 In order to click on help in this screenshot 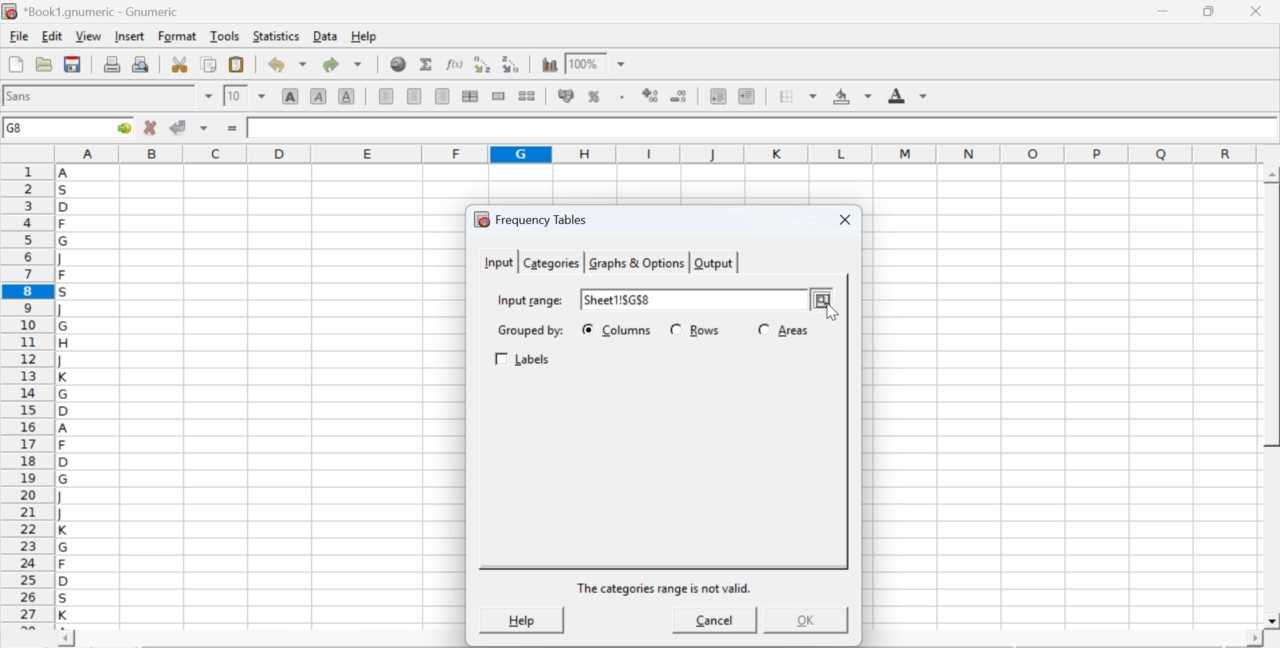, I will do `click(366, 37)`.